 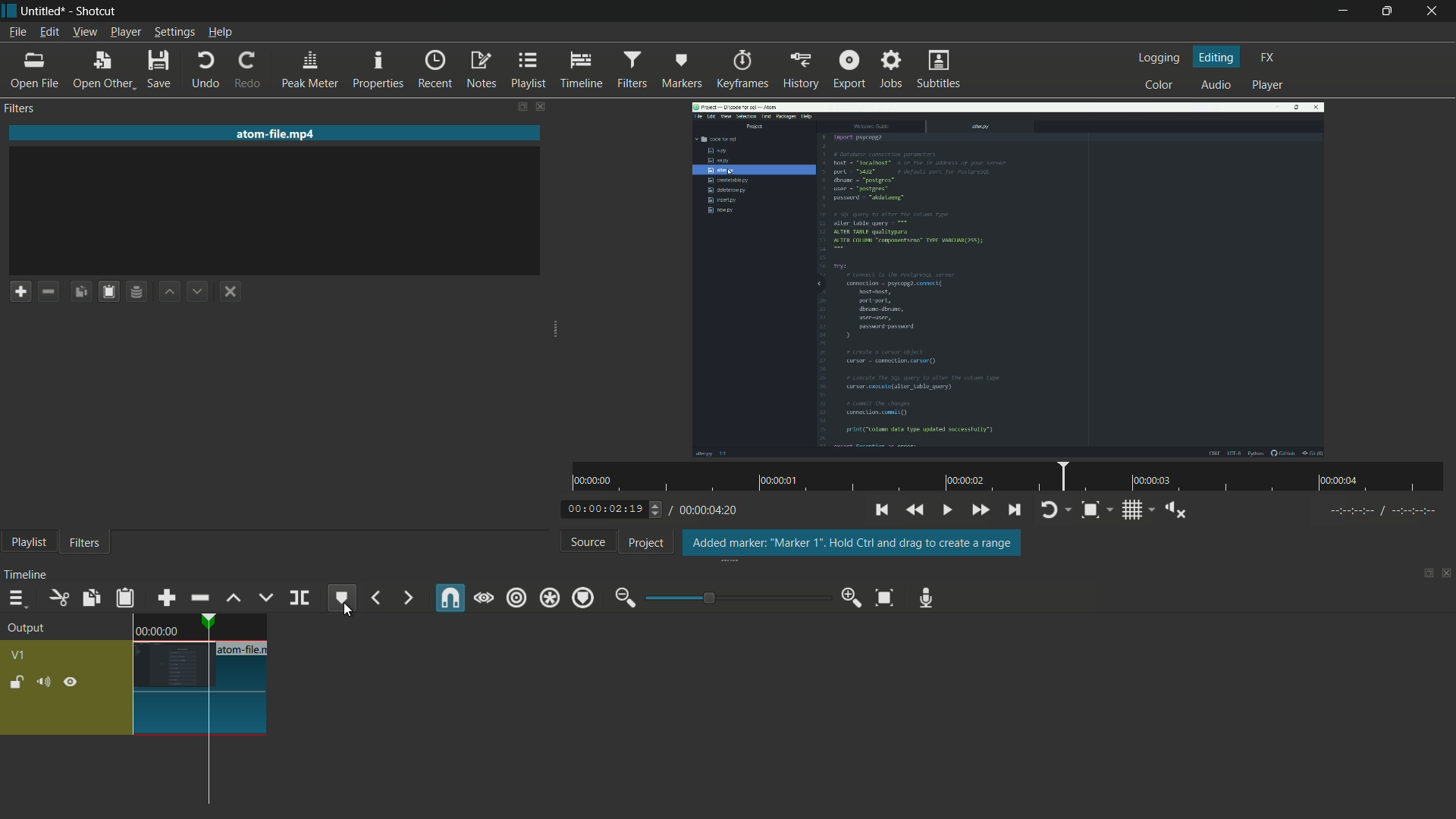 I want to click on total time, so click(x=712, y=513).